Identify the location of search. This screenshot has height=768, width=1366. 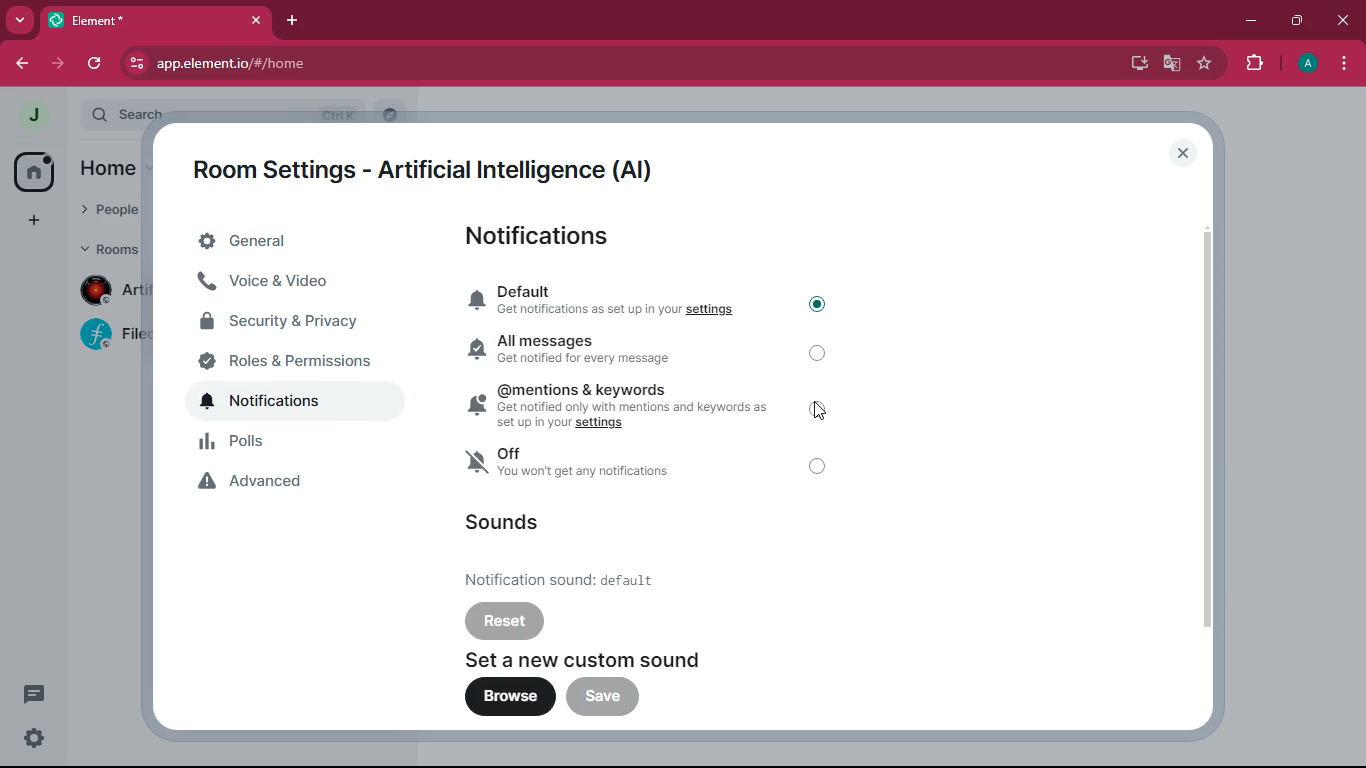
(392, 114).